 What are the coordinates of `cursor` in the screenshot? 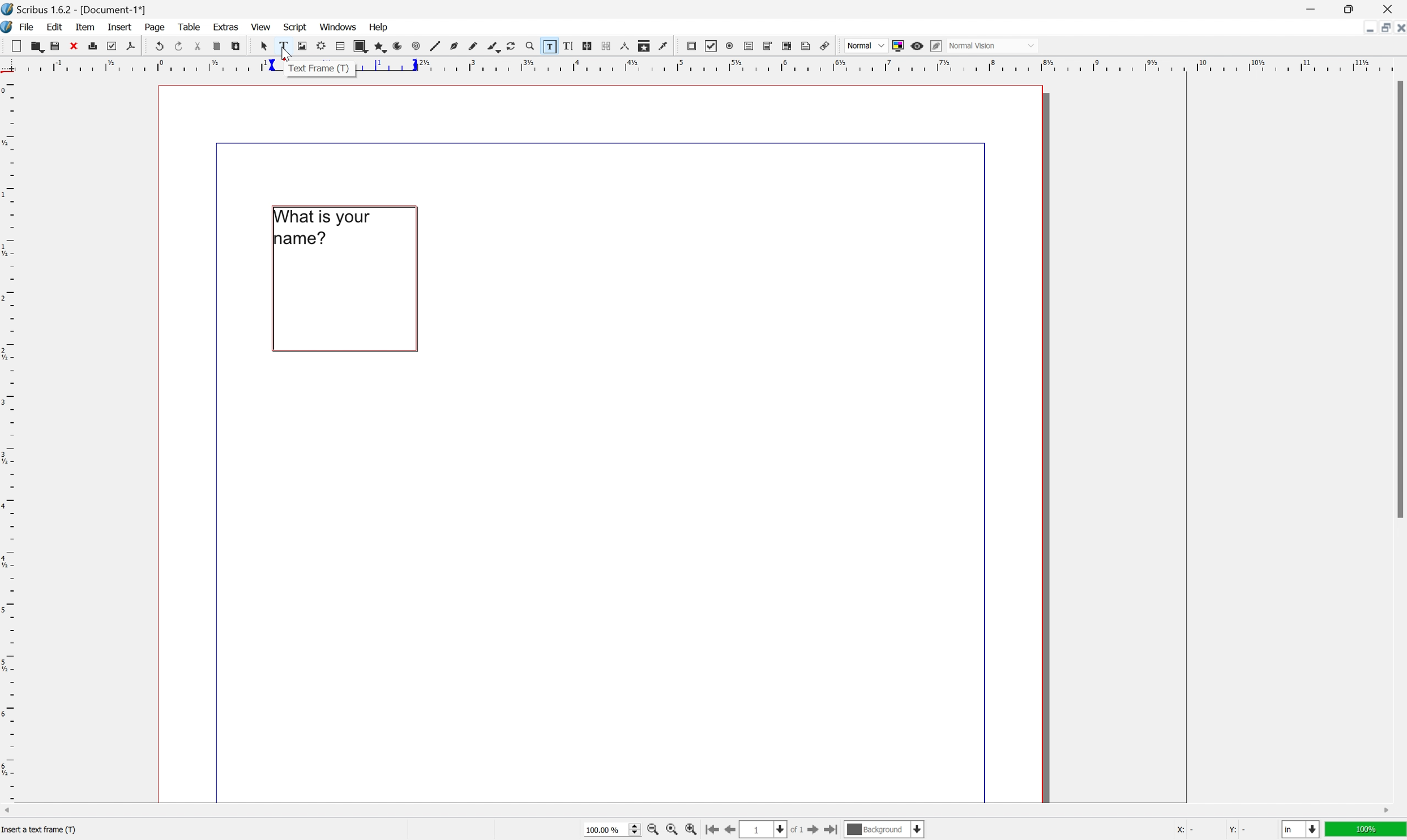 It's located at (285, 53).